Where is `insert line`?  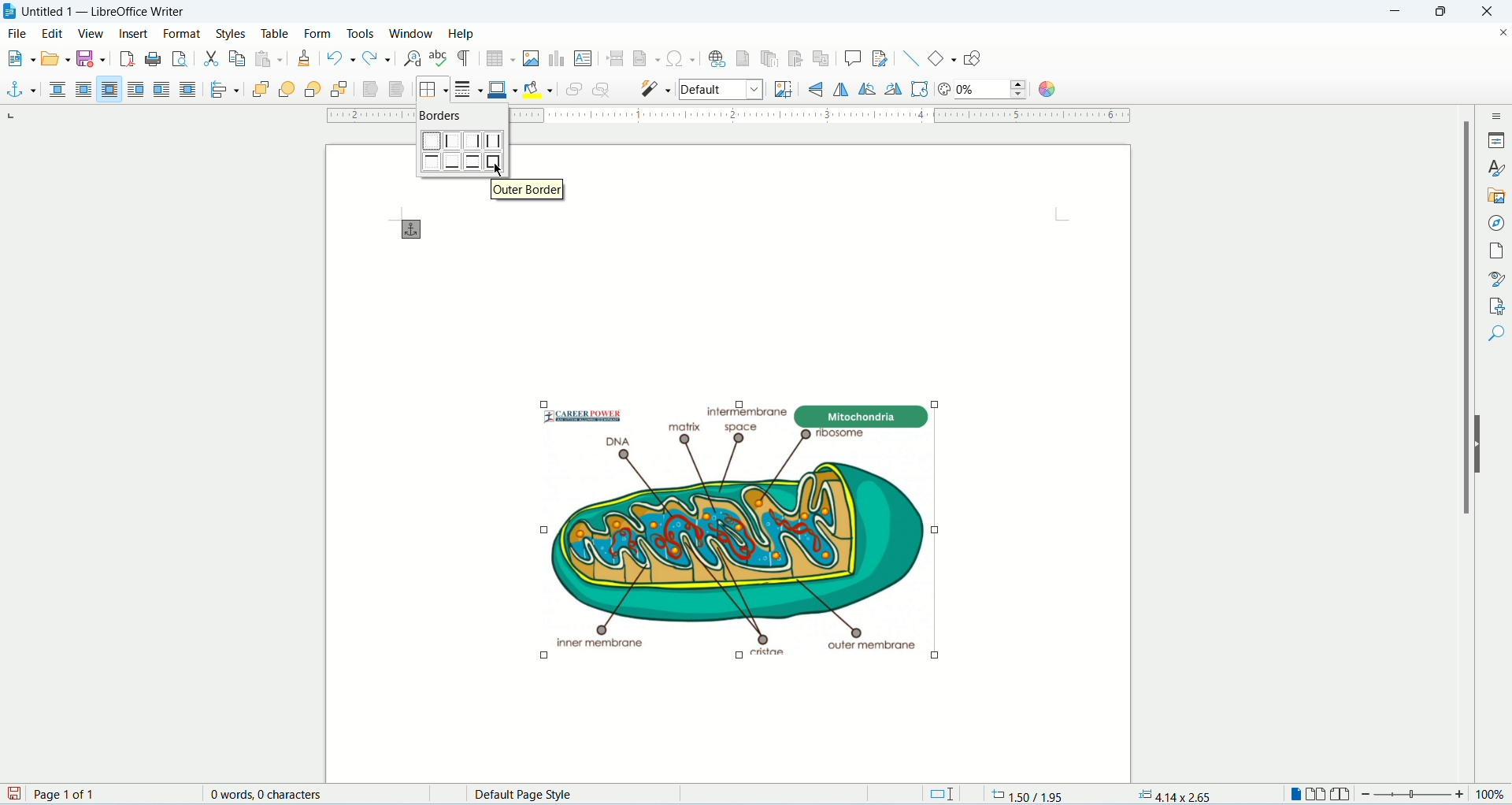 insert line is located at coordinates (911, 58).